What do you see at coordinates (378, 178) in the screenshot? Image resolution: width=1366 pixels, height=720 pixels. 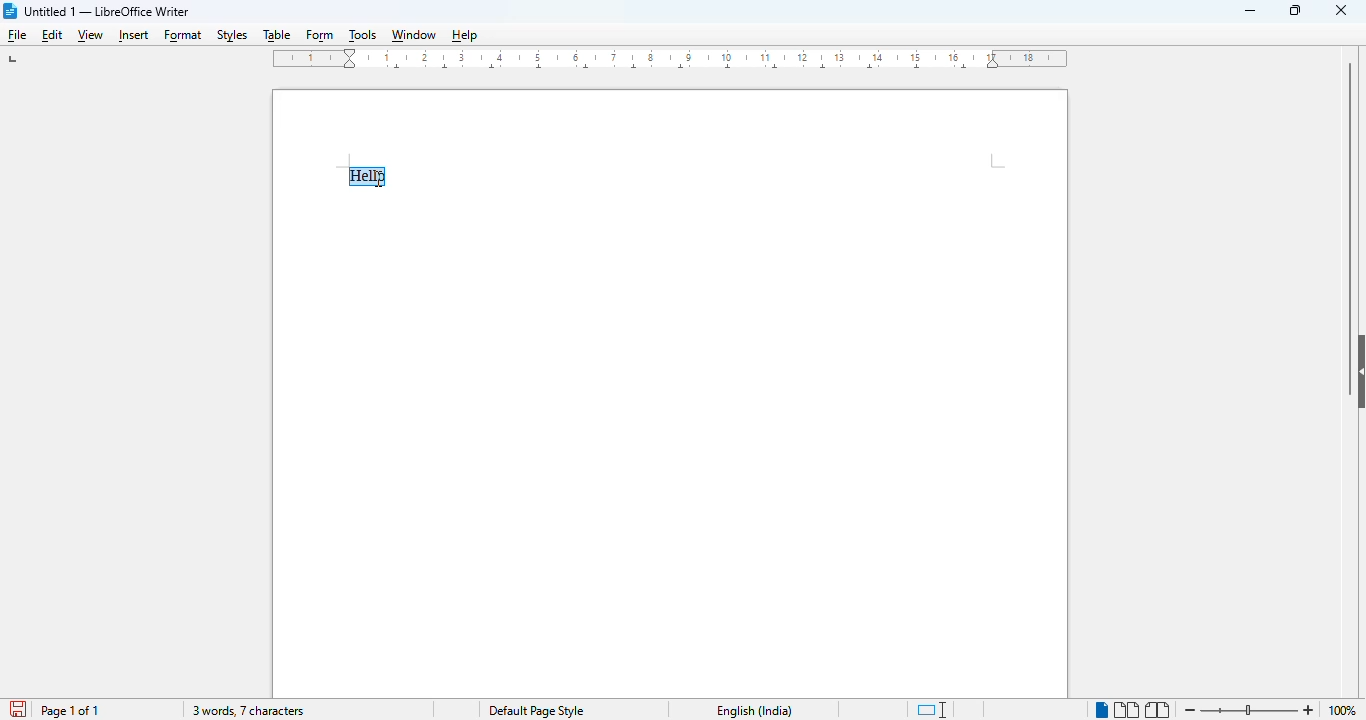 I see `cursor` at bounding box center [378, 178].